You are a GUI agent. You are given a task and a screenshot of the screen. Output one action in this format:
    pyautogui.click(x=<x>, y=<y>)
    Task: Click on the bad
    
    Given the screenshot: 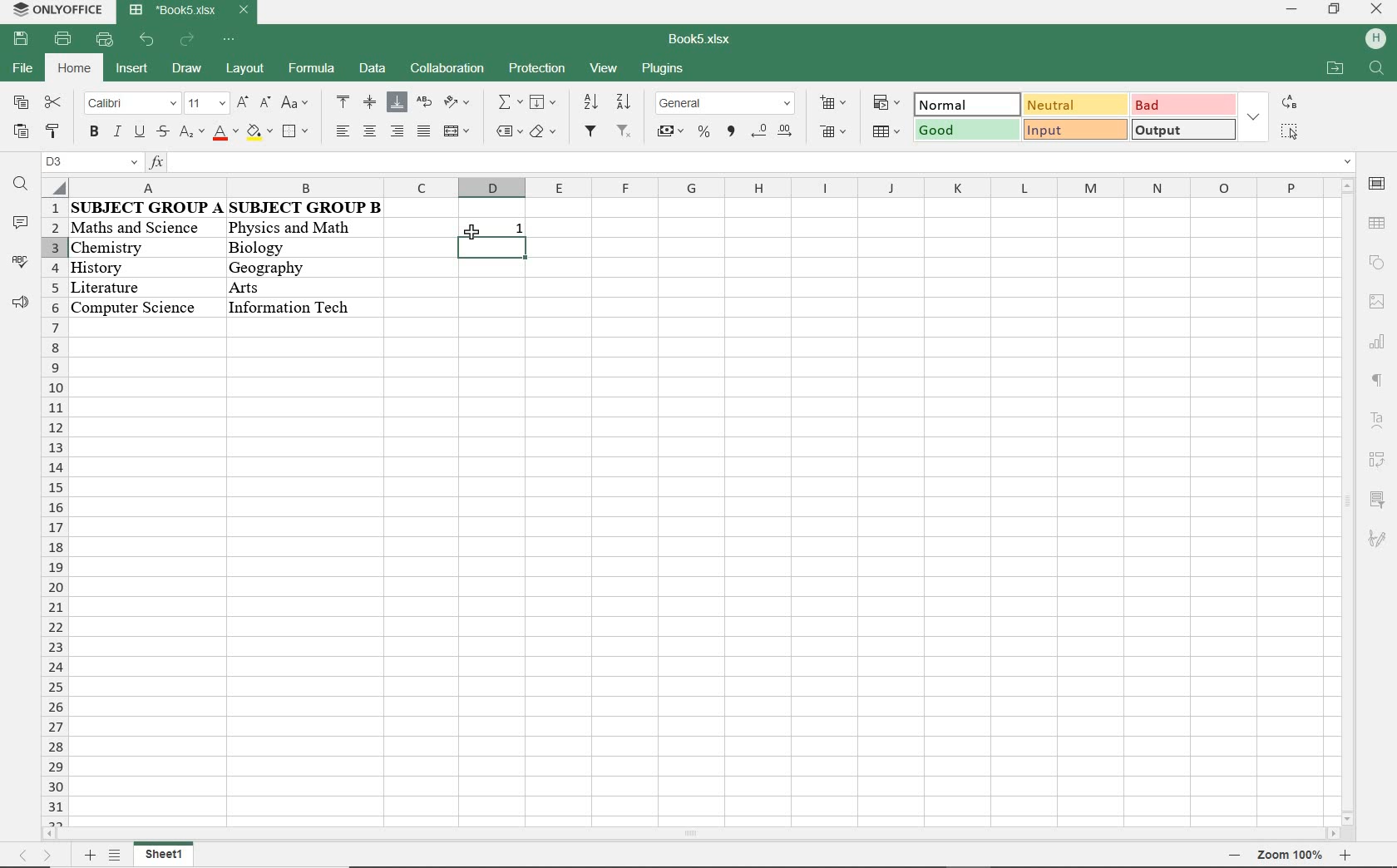 What is the action you would take?
    pyautogui.click(x=1183, y=104)
    